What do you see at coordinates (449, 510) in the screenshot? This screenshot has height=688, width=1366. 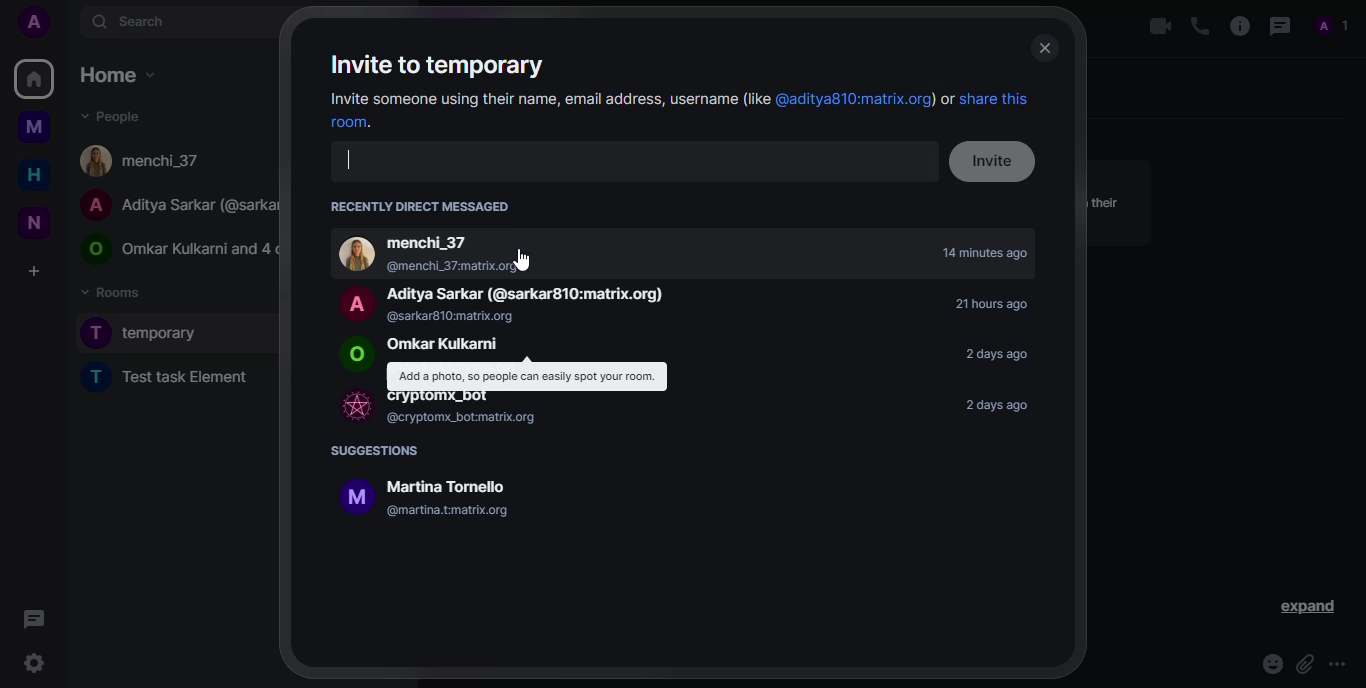 I see `@martina.tmatrix.org` at bounding box center [449, 510].